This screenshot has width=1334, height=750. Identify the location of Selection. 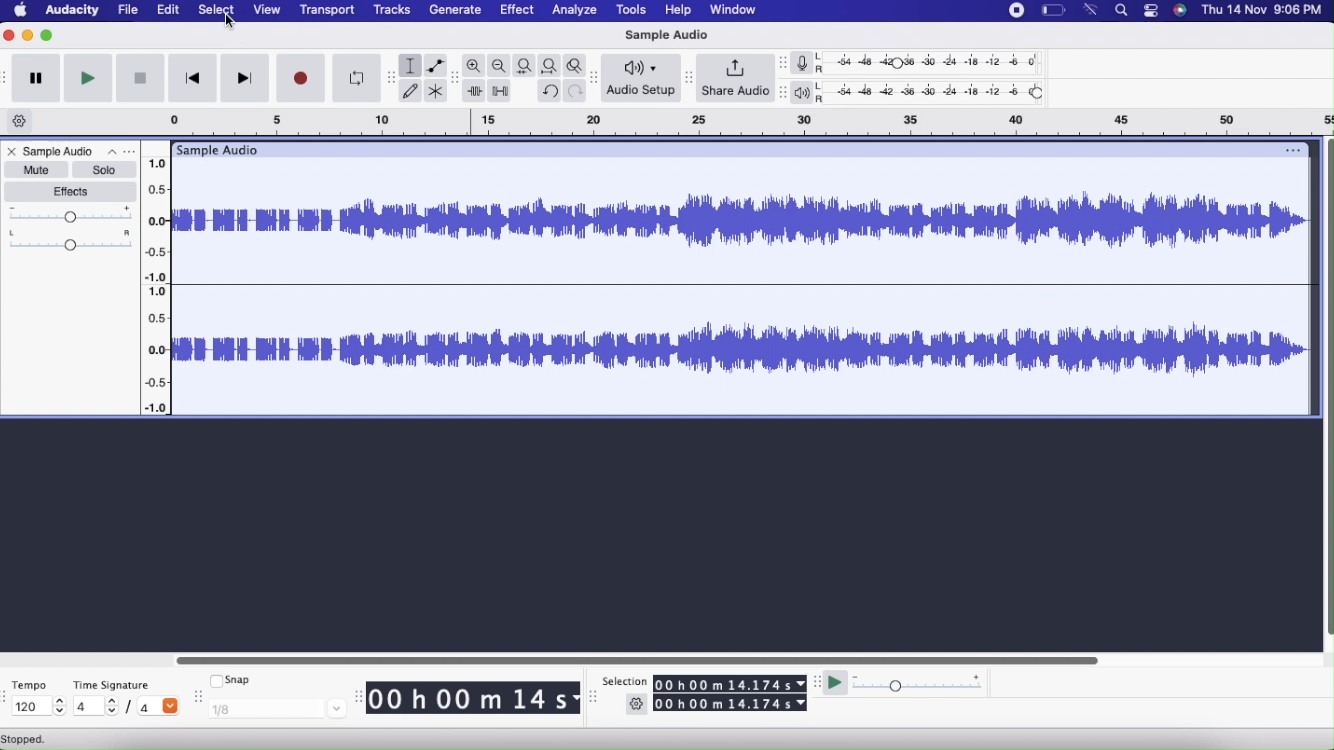
(625, 679).